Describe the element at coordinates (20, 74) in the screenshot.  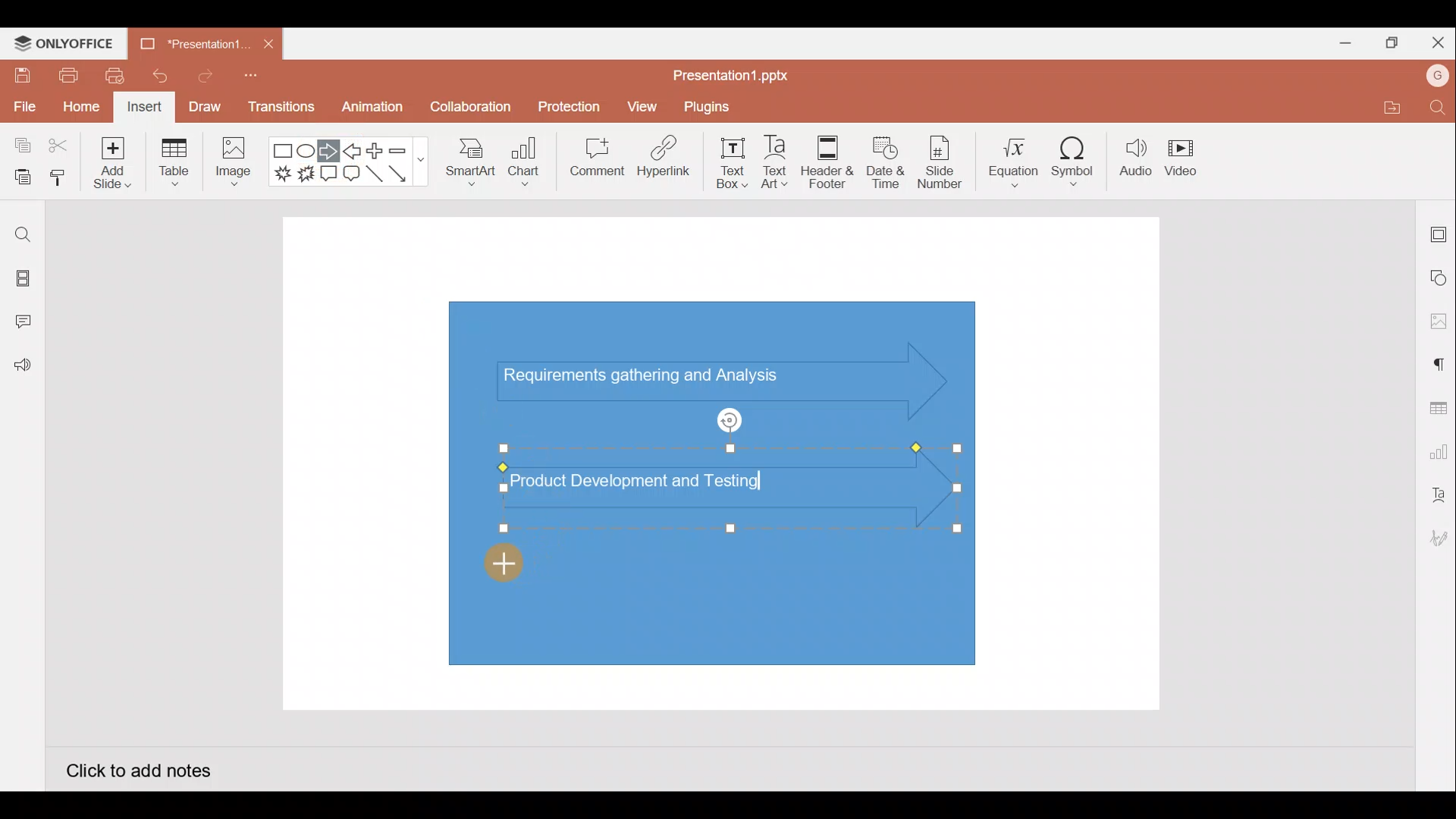
I see `Save` at that location.